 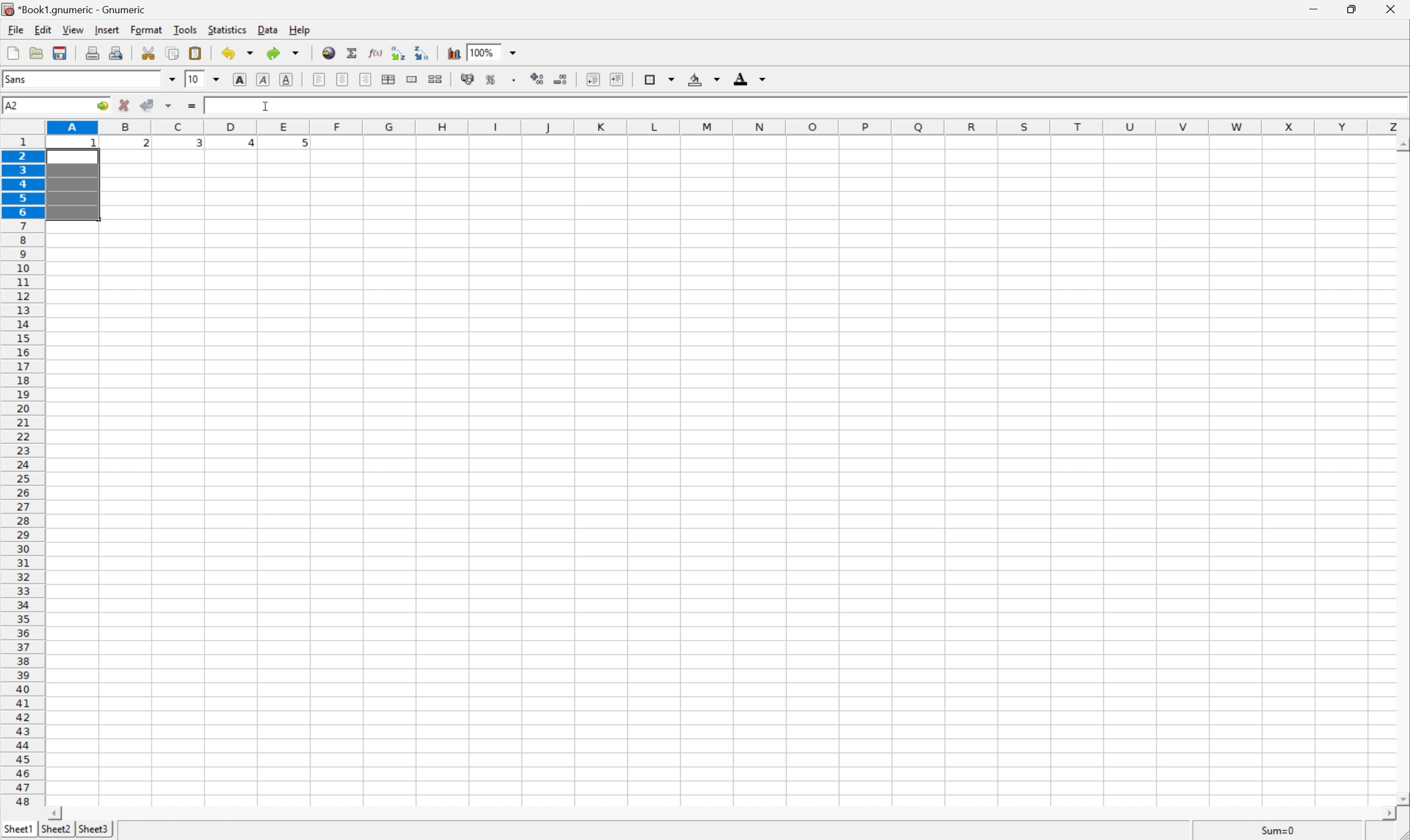 I want to click on print, so click(x=92, y=52).